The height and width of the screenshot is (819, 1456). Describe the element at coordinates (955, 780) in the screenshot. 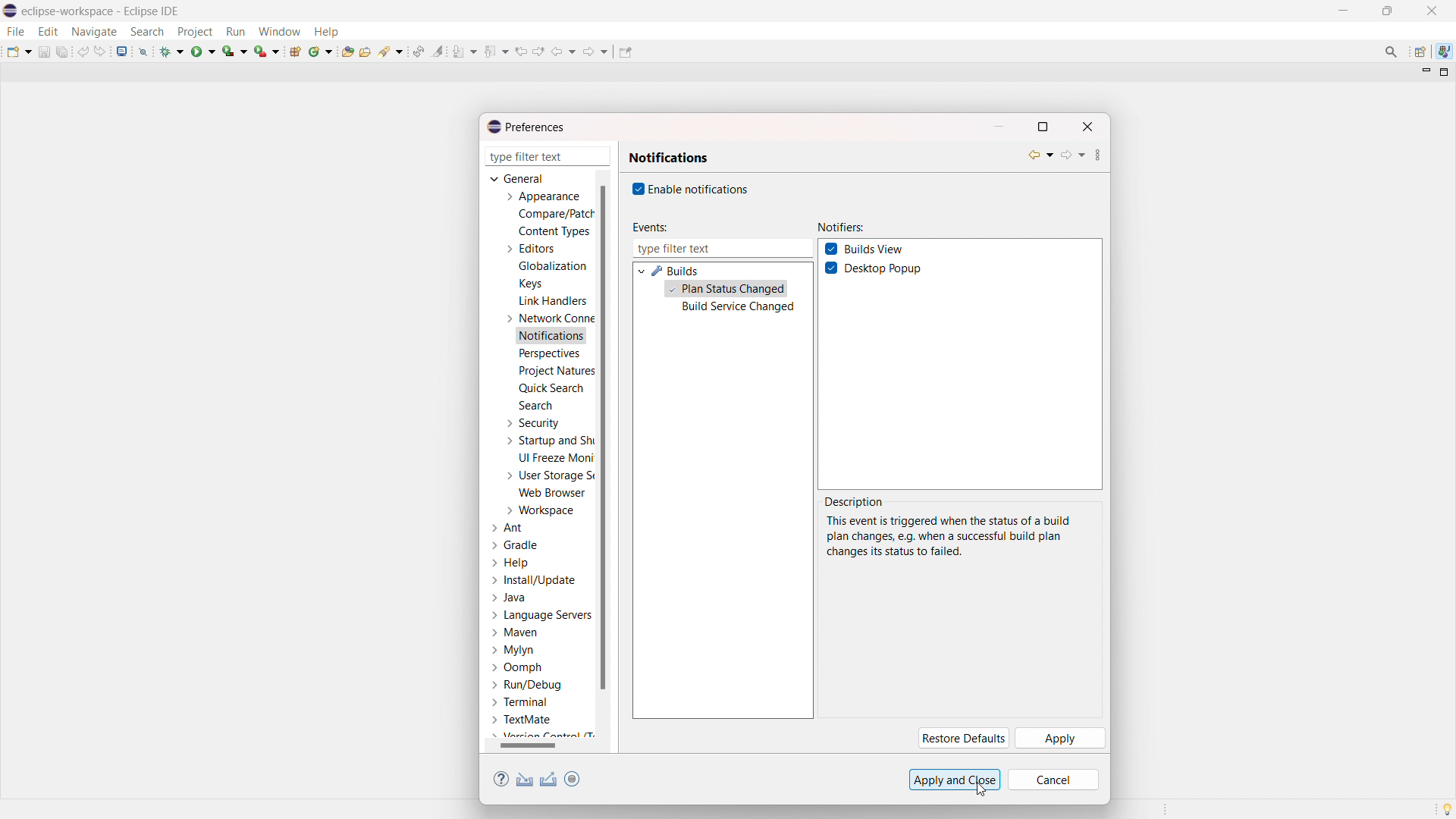

I see `apply and close` at that location.